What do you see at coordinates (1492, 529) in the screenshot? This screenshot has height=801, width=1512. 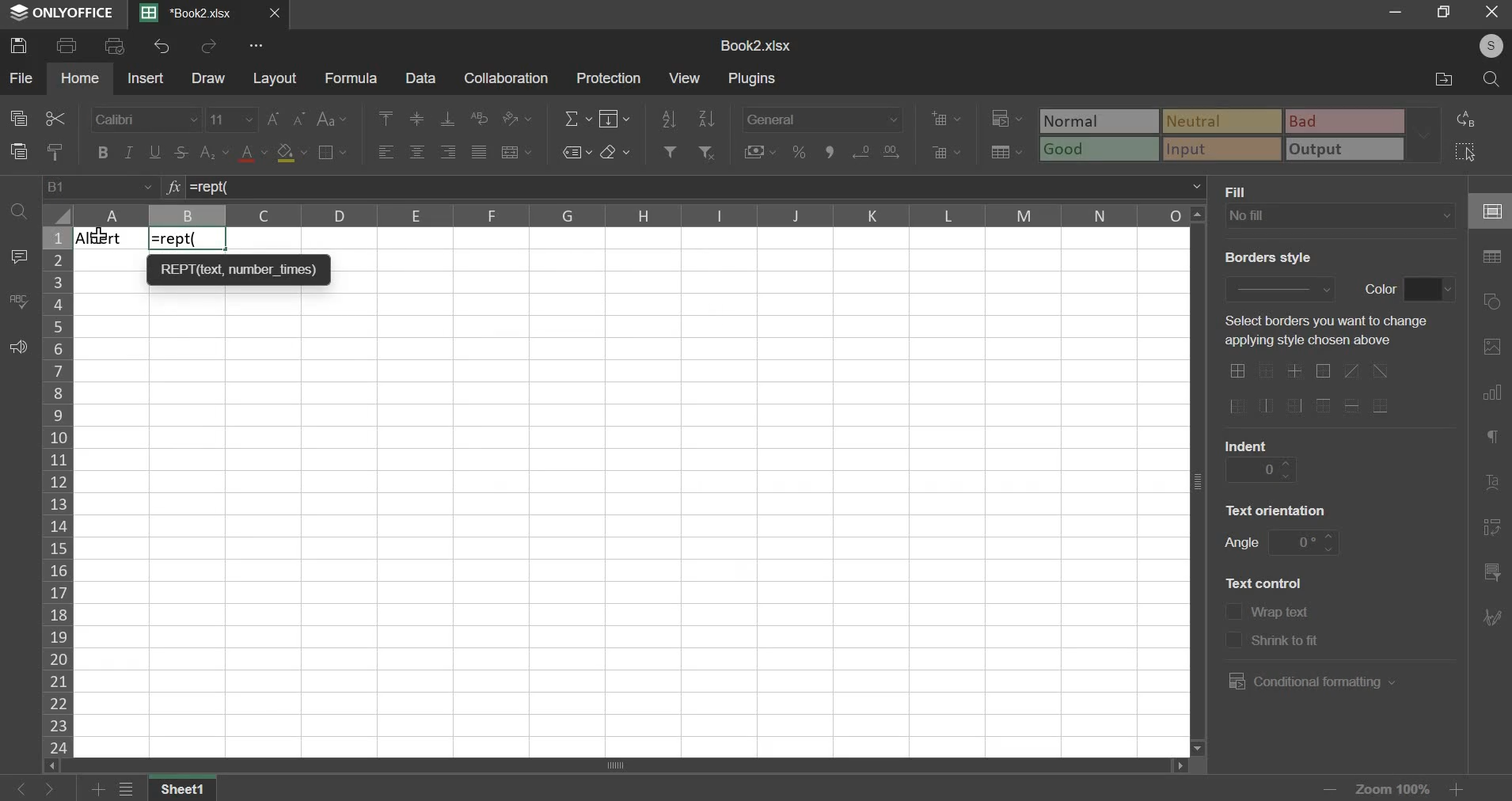 I see `pivot table settings` at bounding box center [1492, 529].